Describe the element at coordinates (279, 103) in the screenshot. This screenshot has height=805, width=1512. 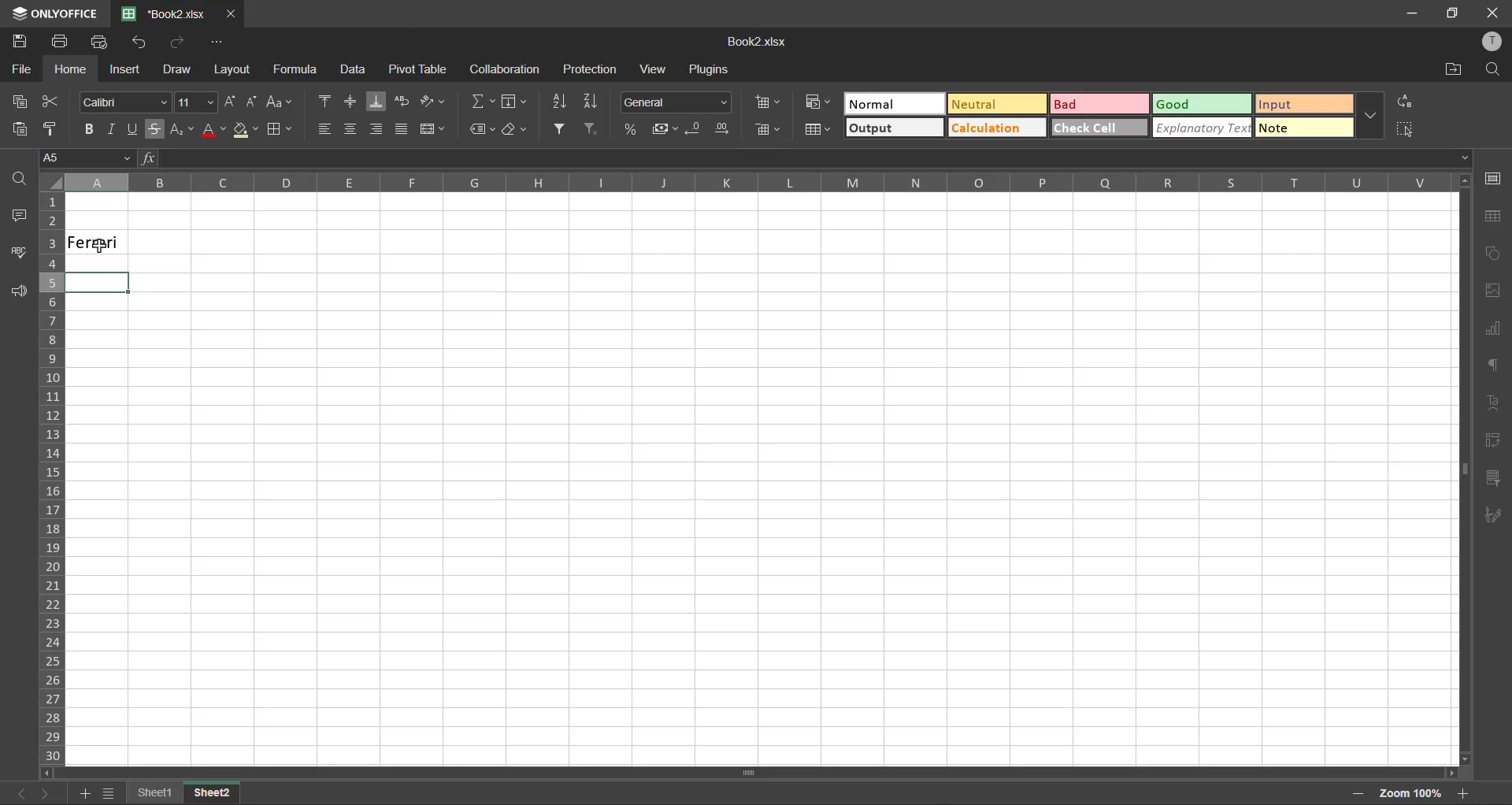
I see `change case` at that location.